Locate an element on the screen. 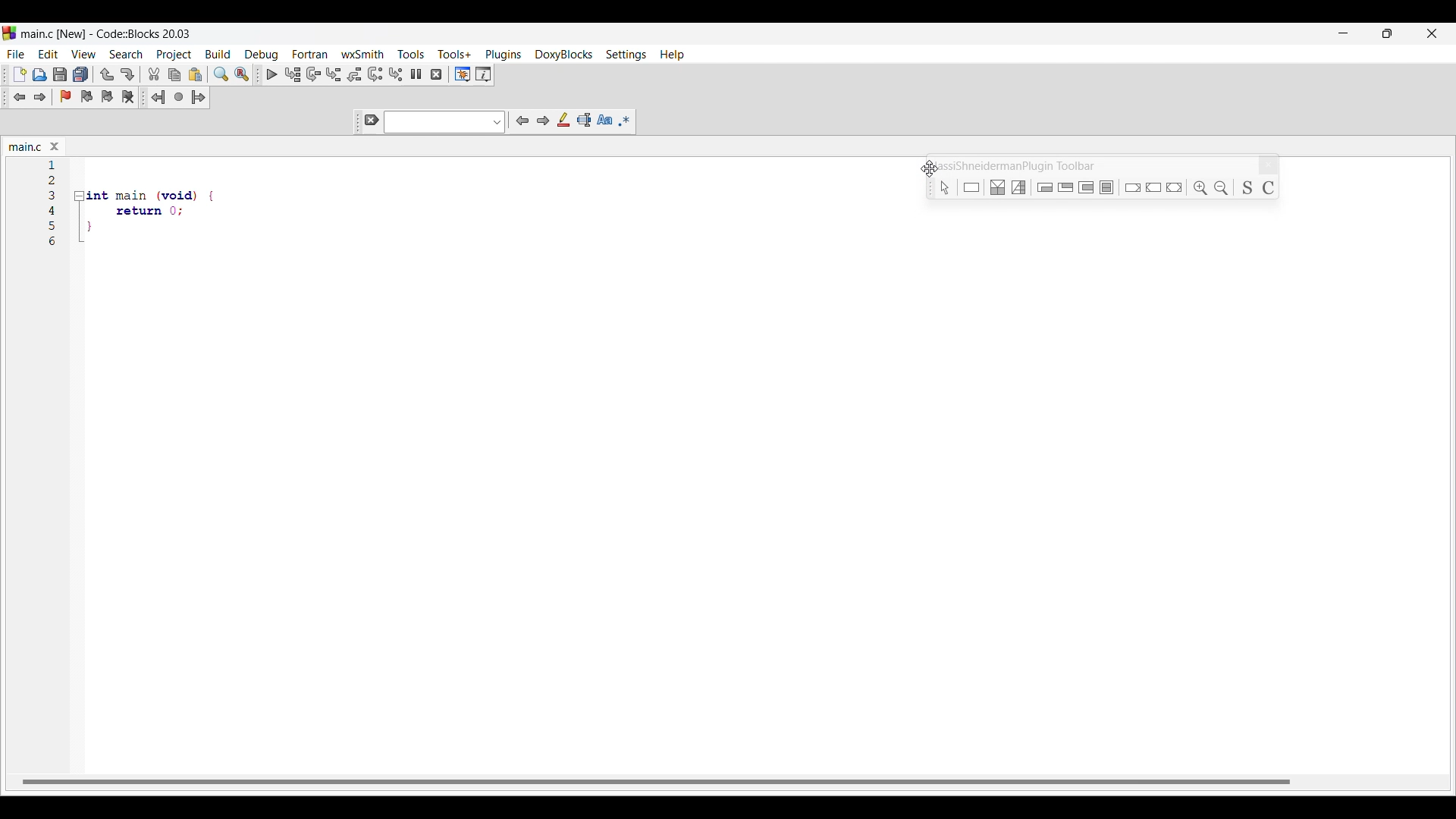   is located at coordinates (941, 187).